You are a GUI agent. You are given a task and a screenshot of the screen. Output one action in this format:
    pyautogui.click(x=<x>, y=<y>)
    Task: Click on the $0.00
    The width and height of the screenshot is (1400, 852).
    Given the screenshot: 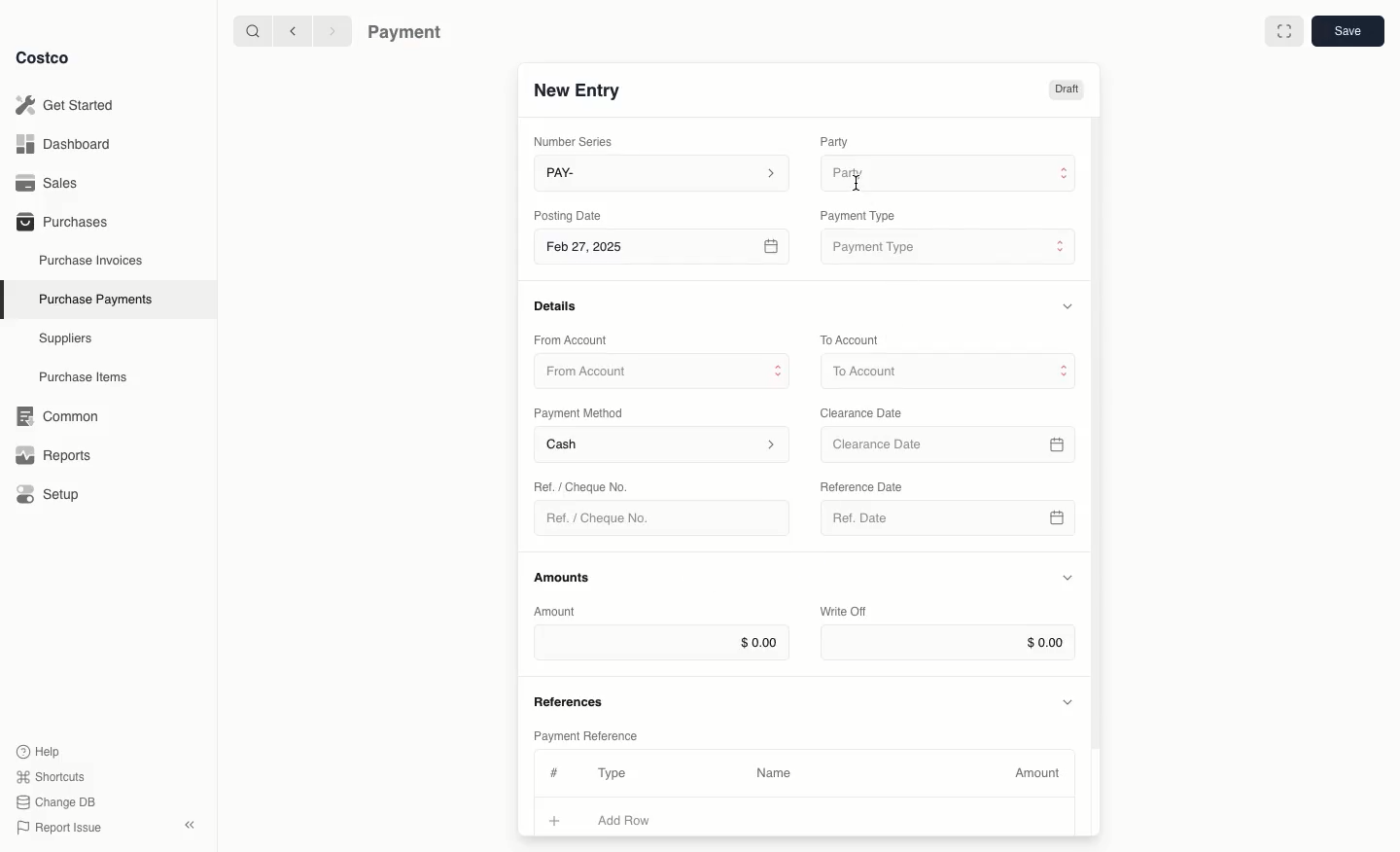 What is the action you would take?
    pyautogui.click(x=948, y=643)
    